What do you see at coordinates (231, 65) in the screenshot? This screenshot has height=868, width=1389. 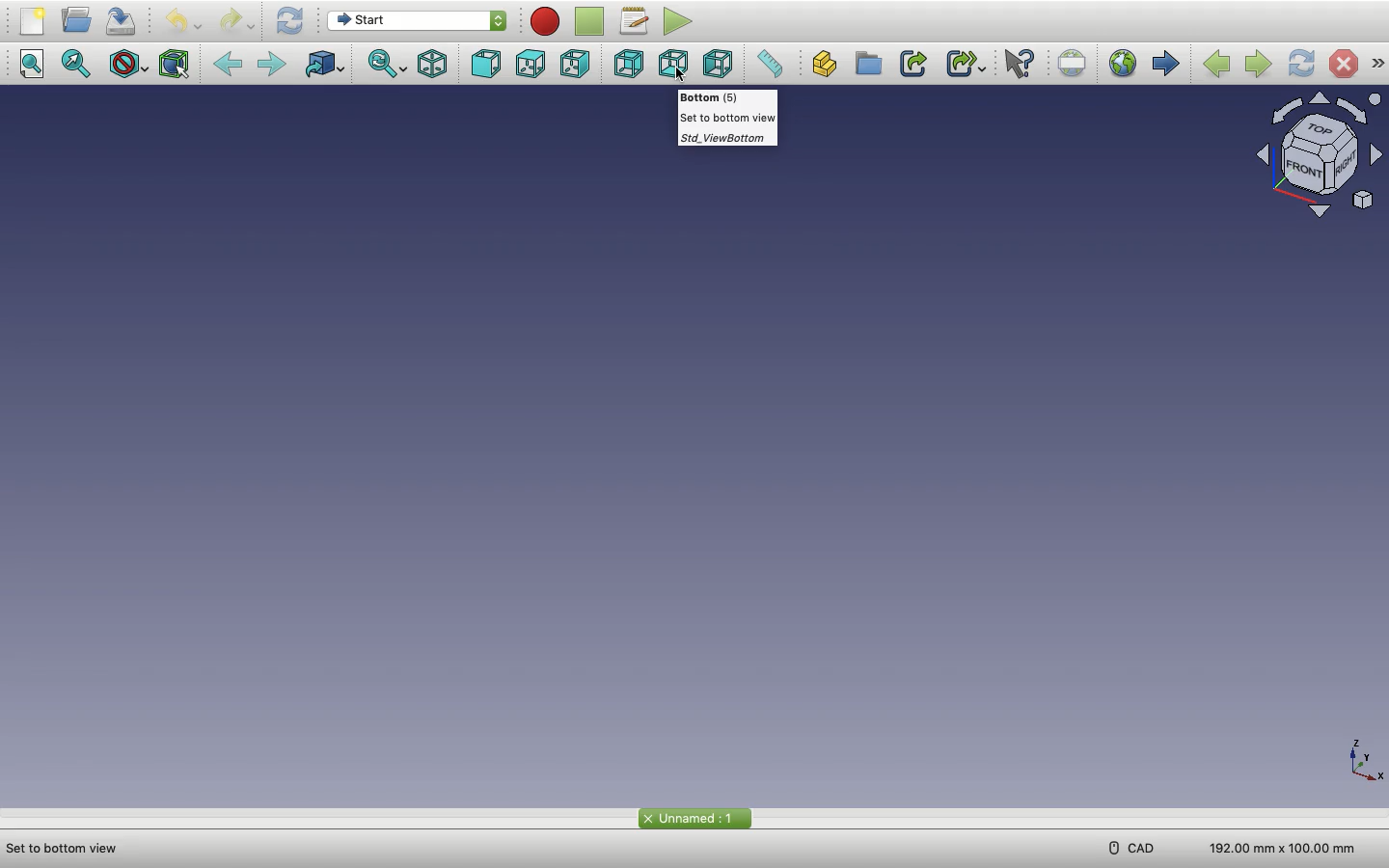 I see `Back ` at bounding box center [231, 65].